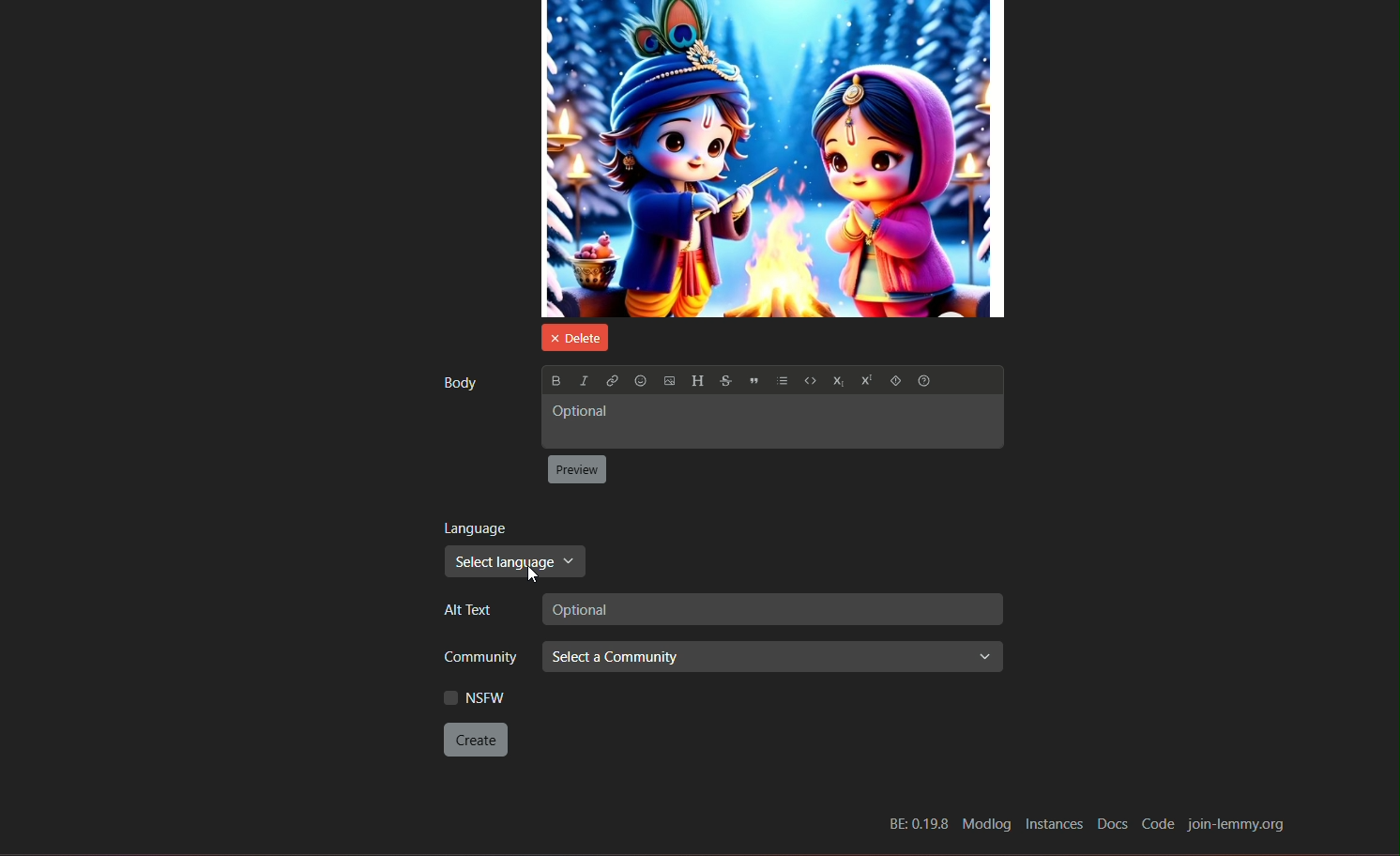  Describe the element at coordinates (571, 336) in the screenshot. I see `delete` at that location.